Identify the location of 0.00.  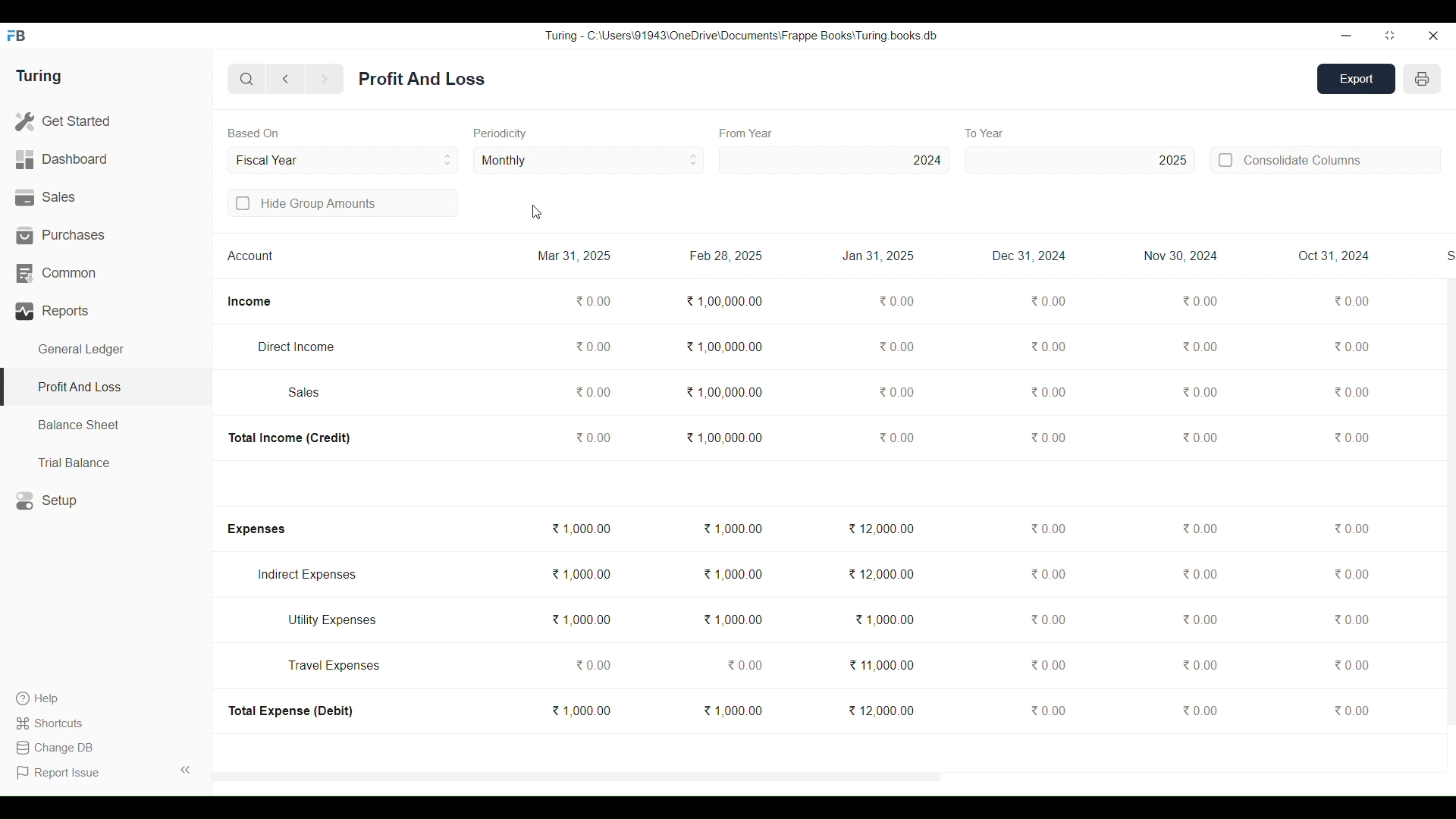
(1351, 574).